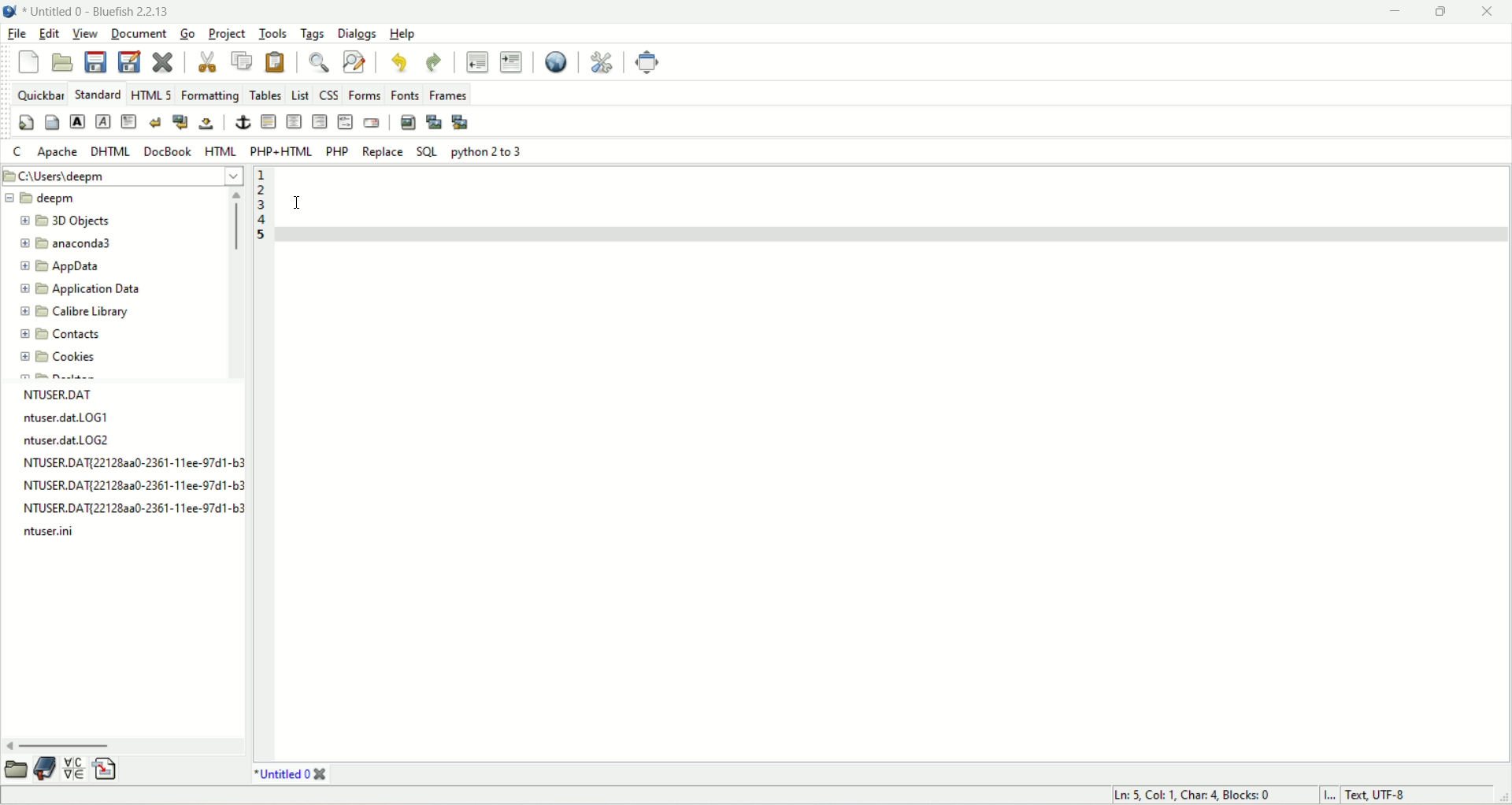 Image resolution: width=1512 pixels, height=805 pixels. I want to click on file name, so click(80, 441).